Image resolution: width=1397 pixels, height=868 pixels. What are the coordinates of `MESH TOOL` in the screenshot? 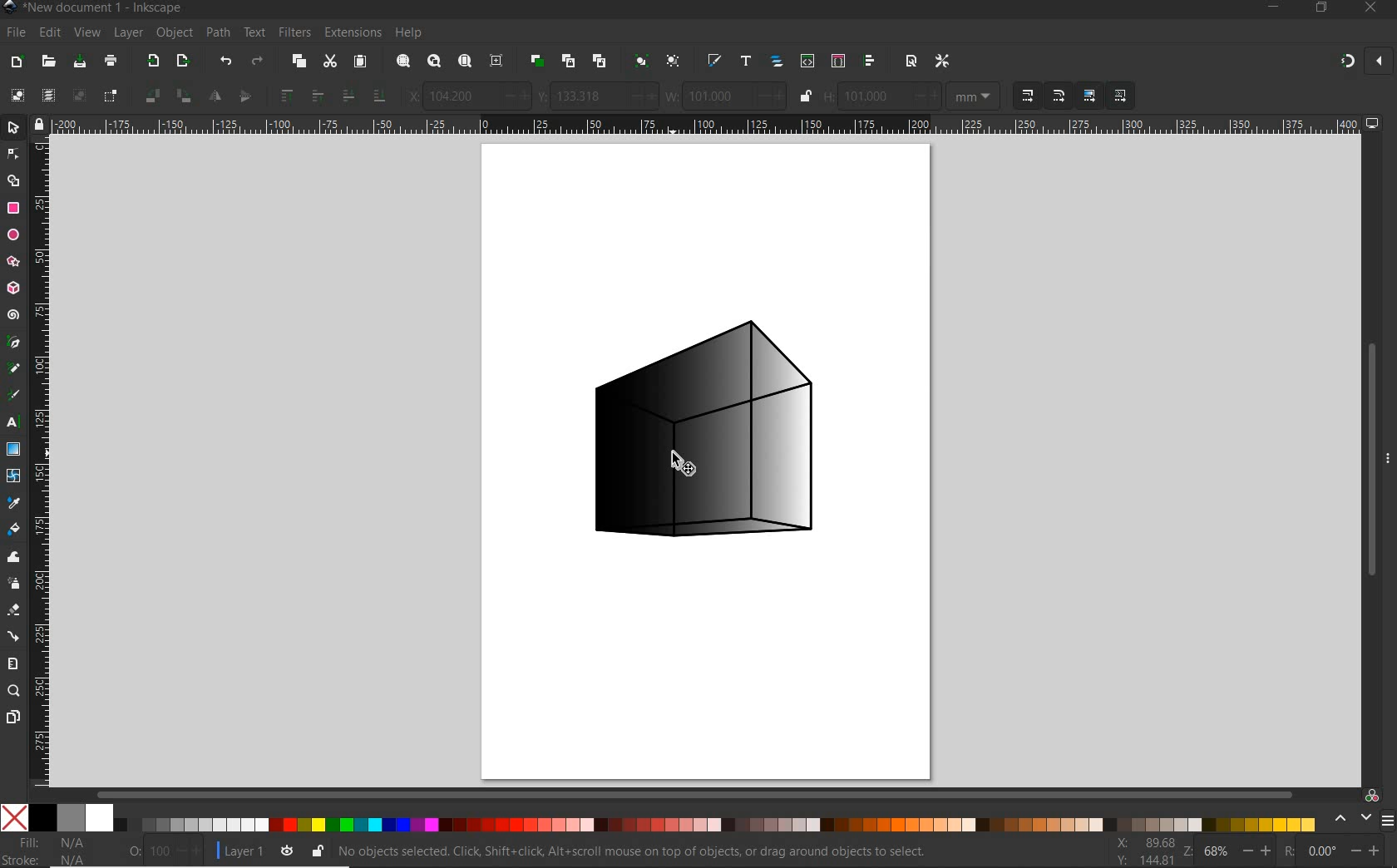 It's located at (14, 476).